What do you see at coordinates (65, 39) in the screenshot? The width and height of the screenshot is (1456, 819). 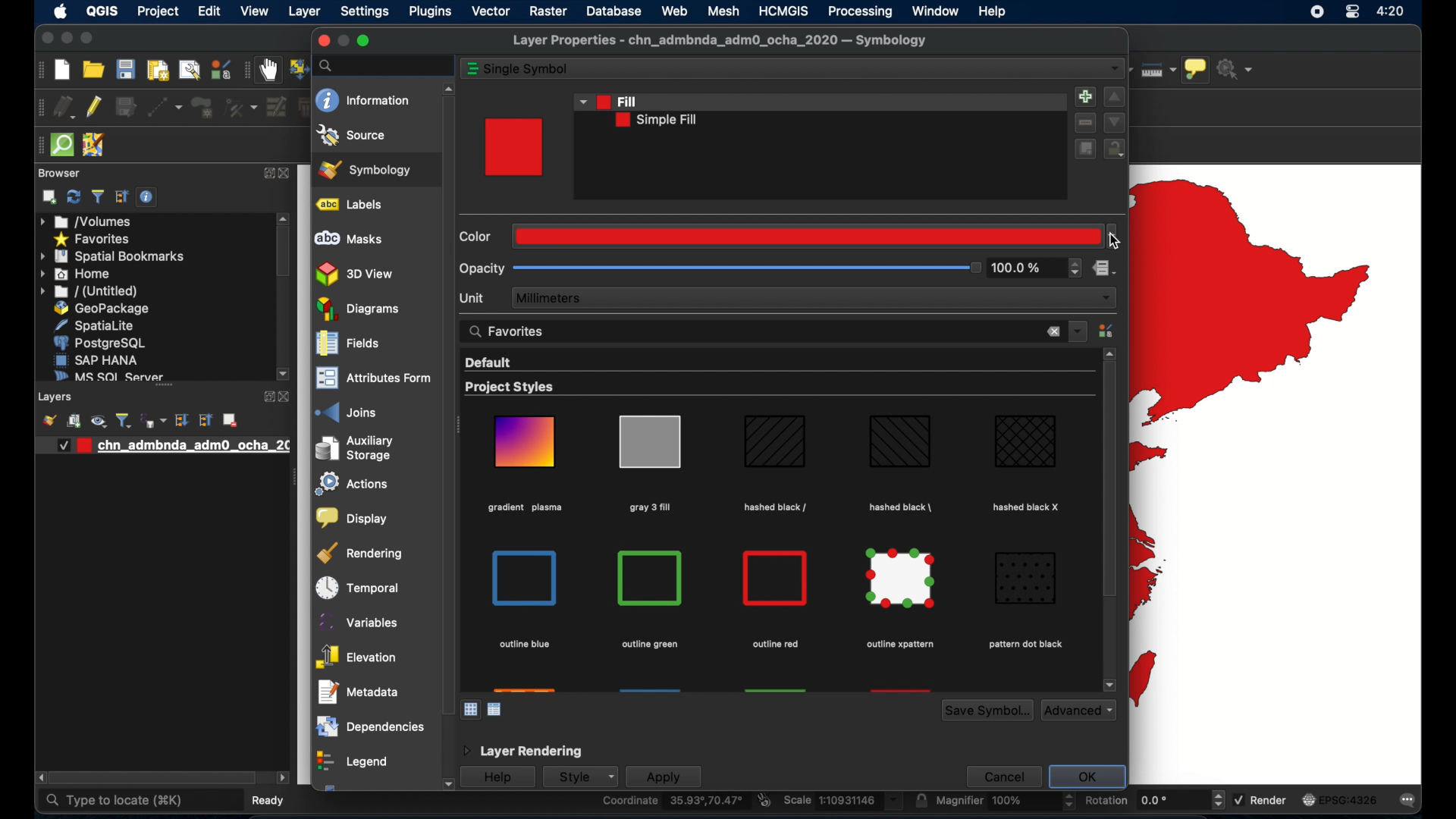 I see `minimize ` at bounding box center [65, 39].